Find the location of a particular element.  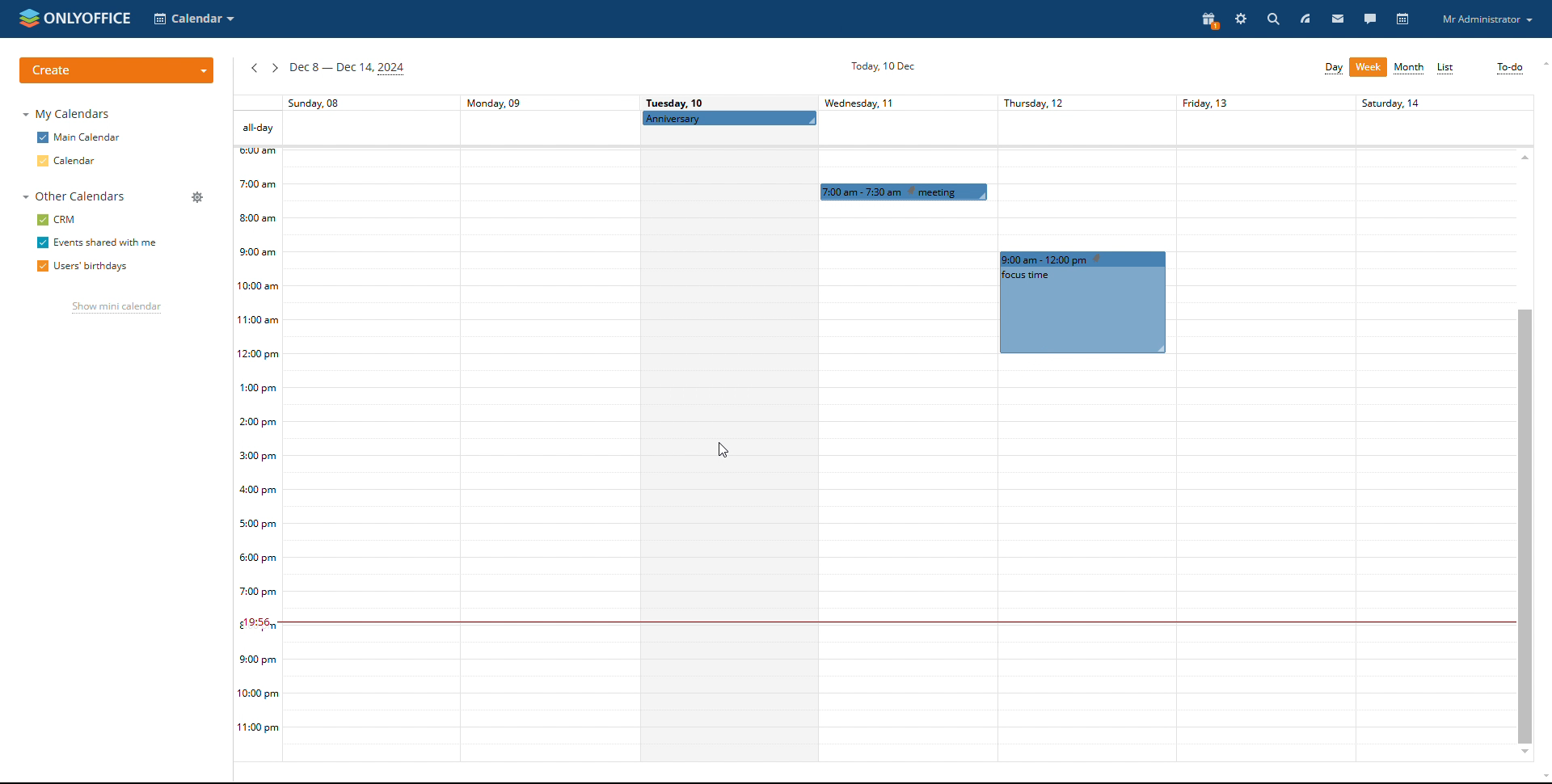

Wednesday, 11 is located at coordinates (875, 102).